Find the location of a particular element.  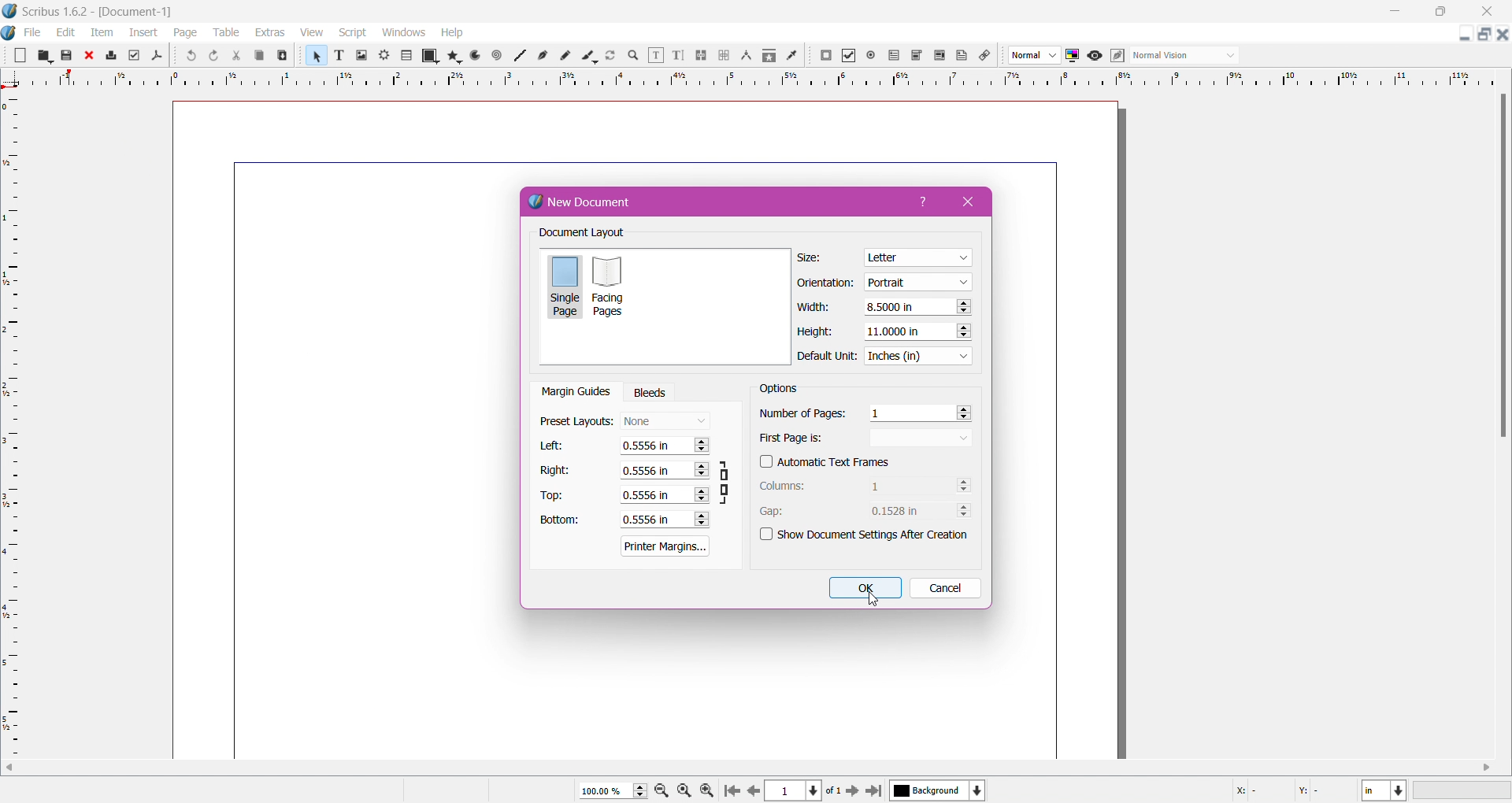

Letter “ is located at coordinates (919, 259).